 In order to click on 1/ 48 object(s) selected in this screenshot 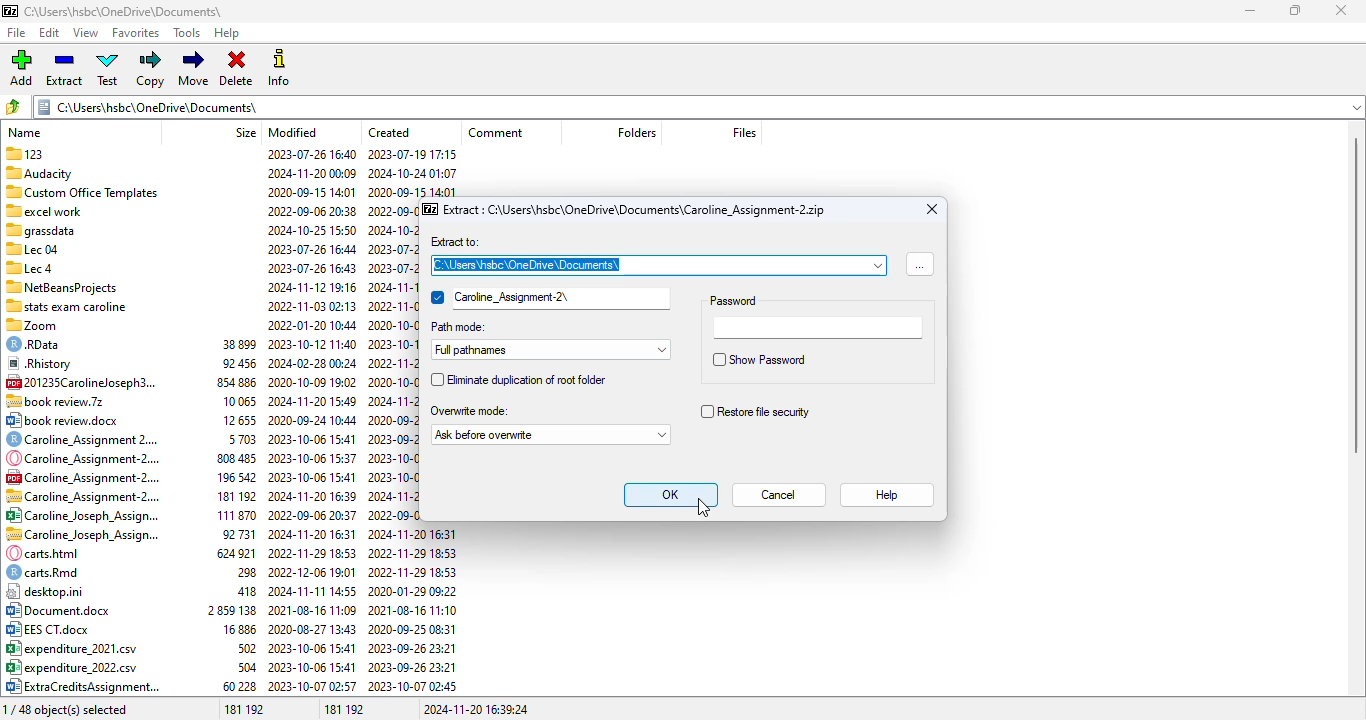, I will do `click(71, 709)`.